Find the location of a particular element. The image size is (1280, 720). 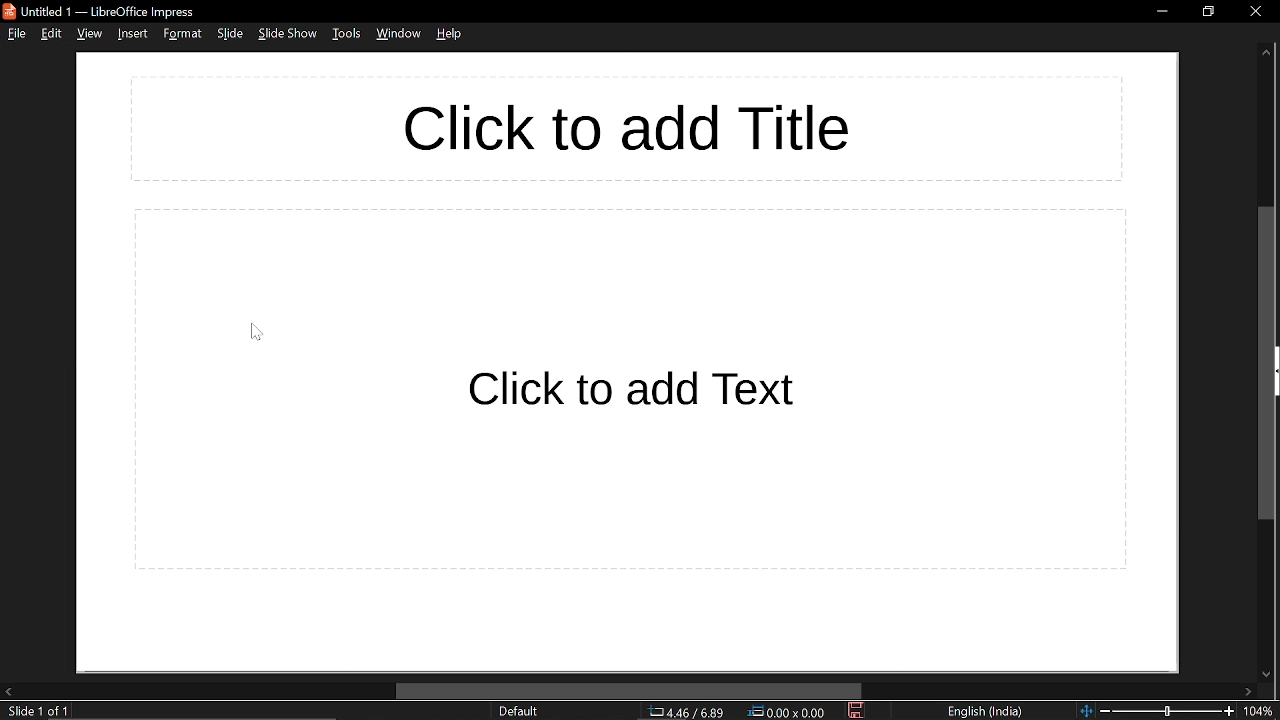

move up is located at coordinates (1266, 55).